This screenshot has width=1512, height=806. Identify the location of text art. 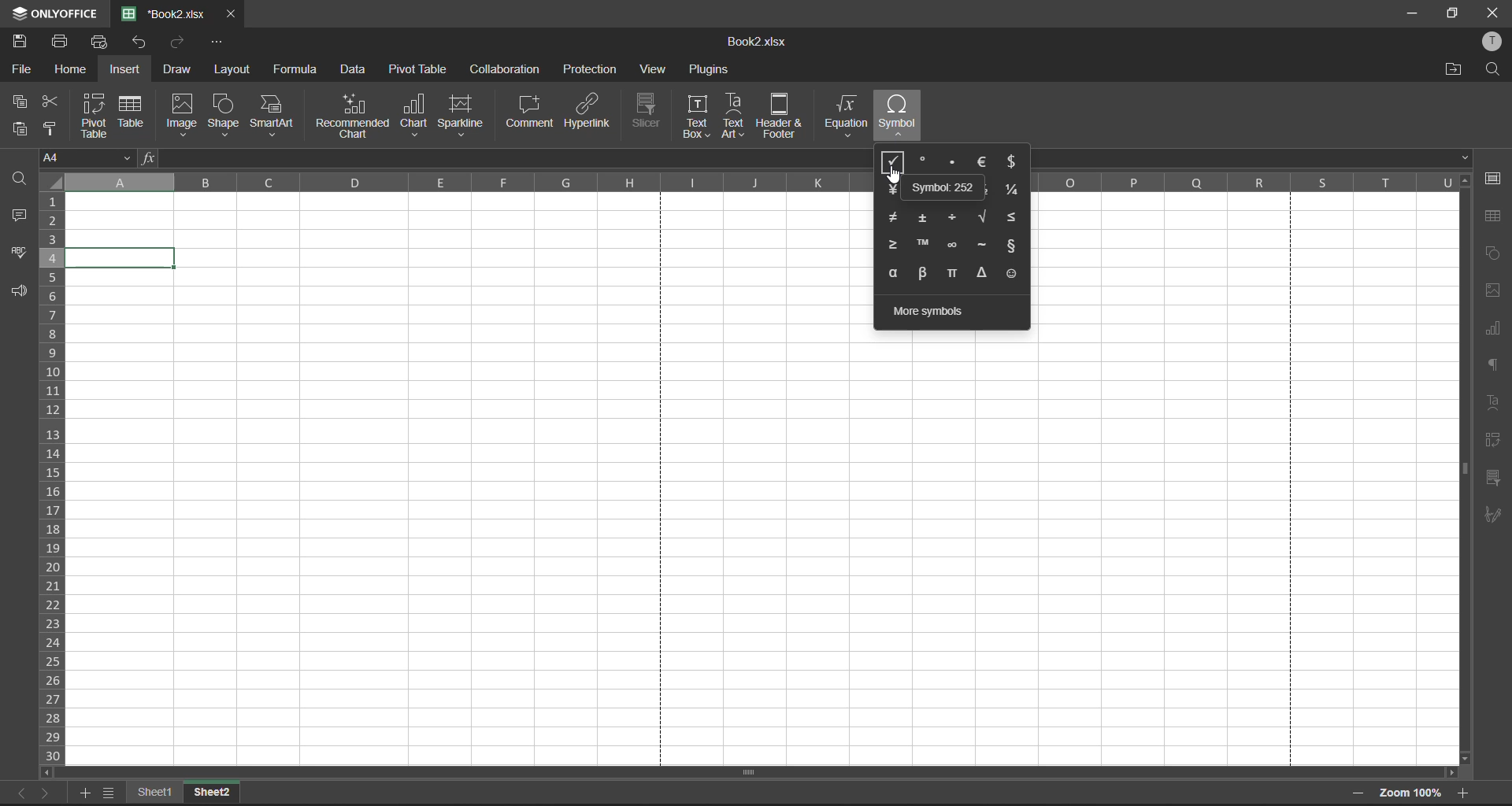
(736, 116).